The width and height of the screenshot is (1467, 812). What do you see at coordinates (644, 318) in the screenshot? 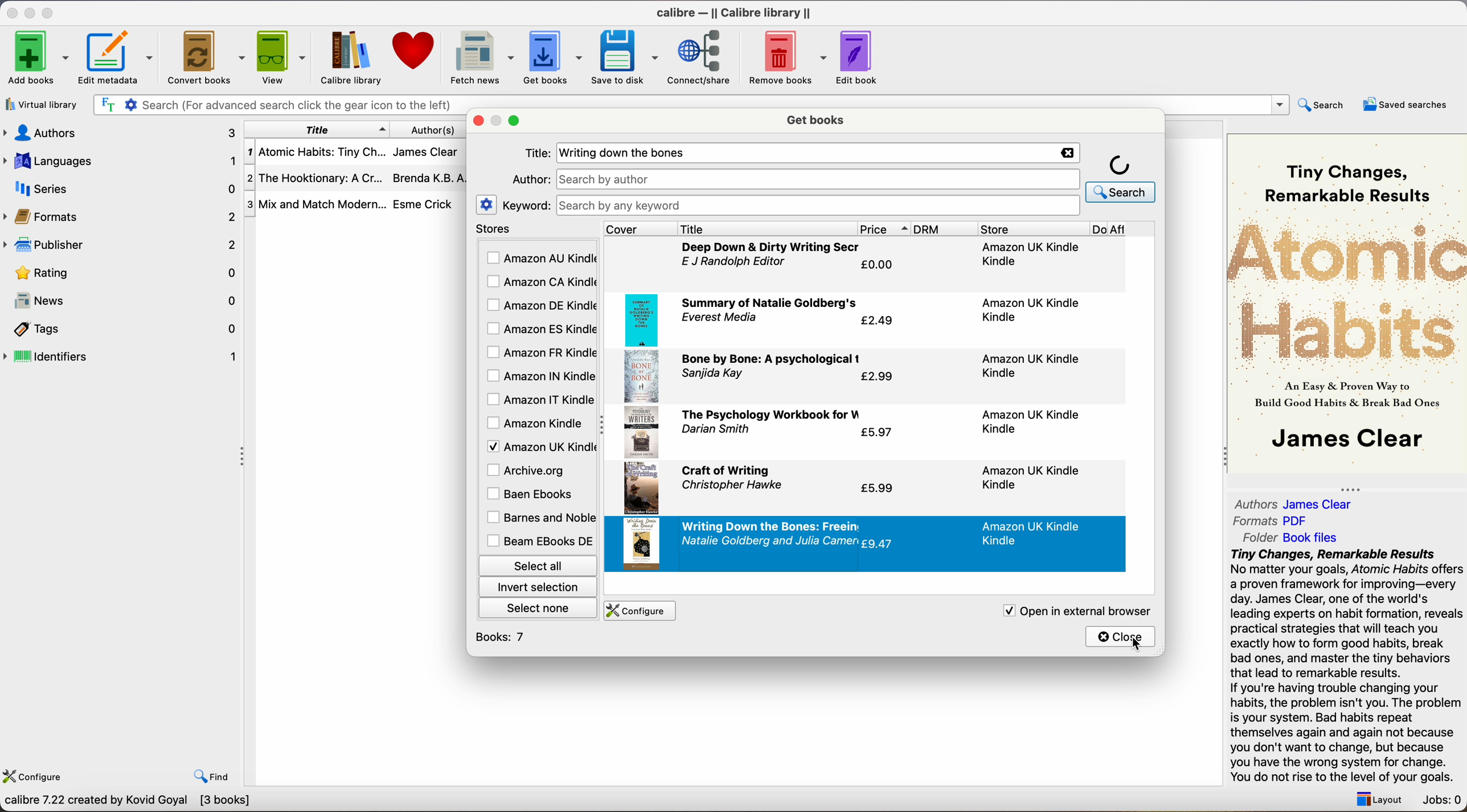
I see `Book icon` at bounding box center [644, 318].